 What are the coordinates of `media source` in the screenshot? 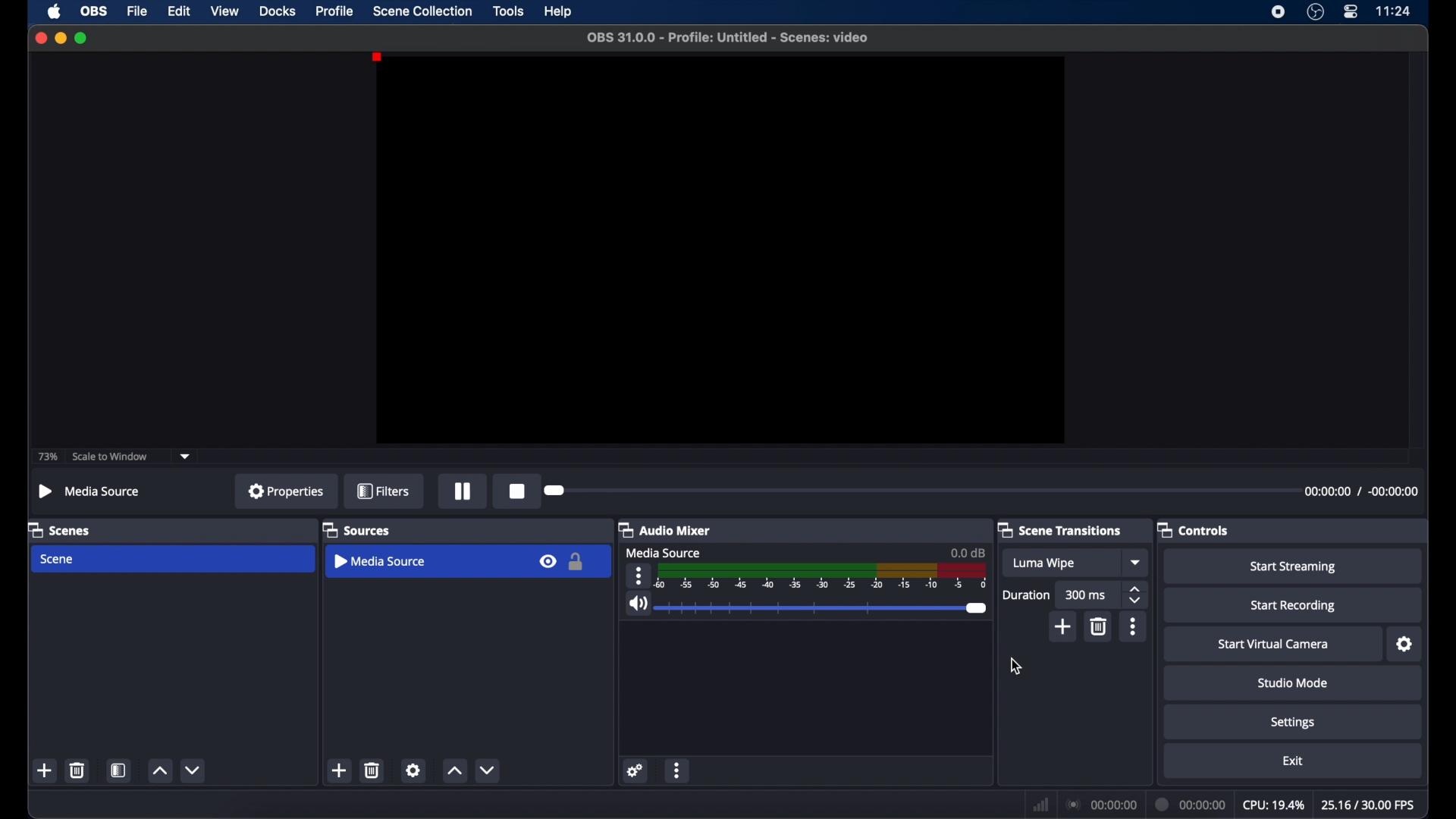 It's located at (664, 552).